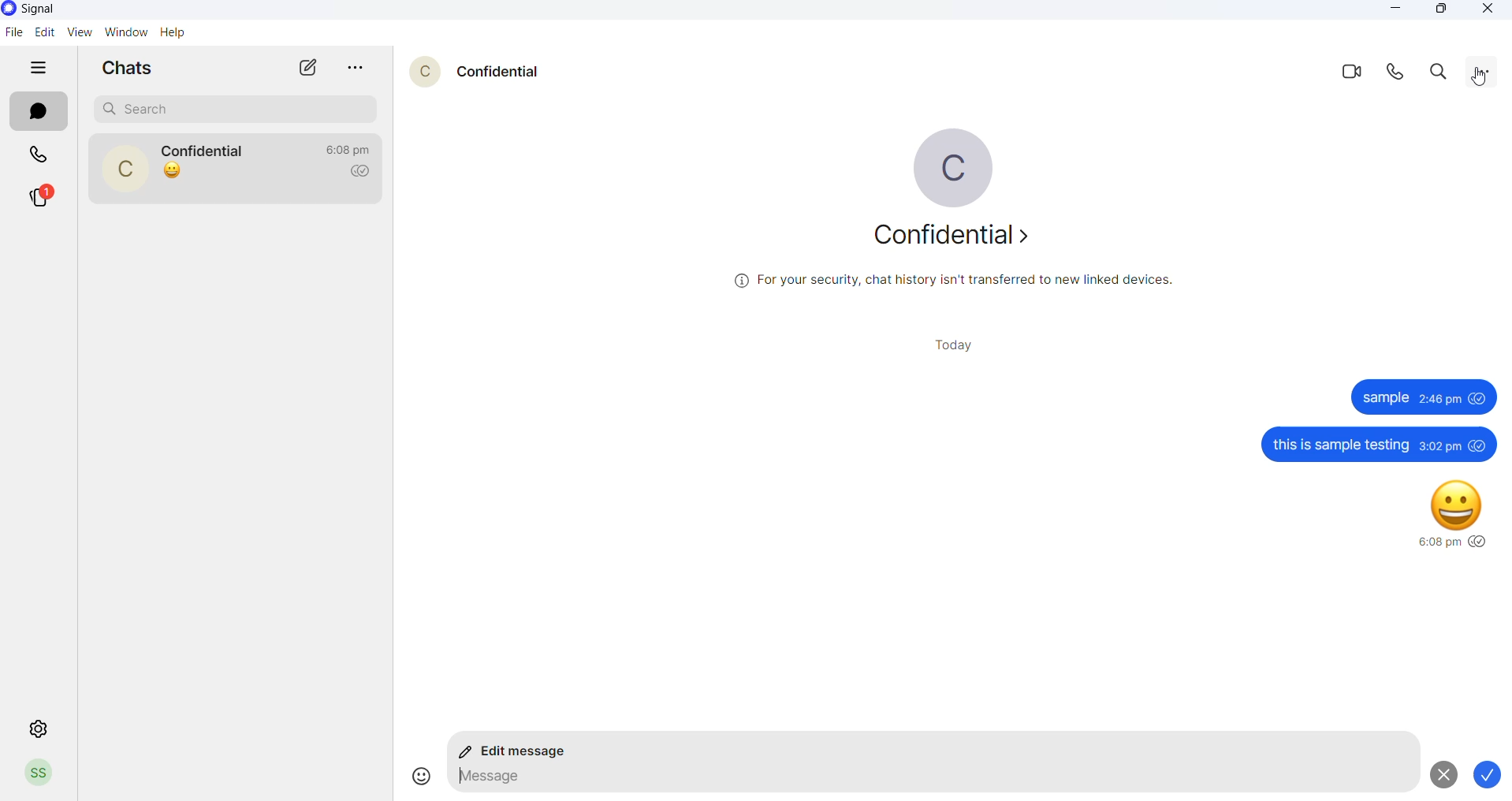 This screenshot has width=1512, height=801. What do you see at coordinates (1339, 445) in the screenshot?
I see `this is a sample testing` at bounding box center [1339, 445].